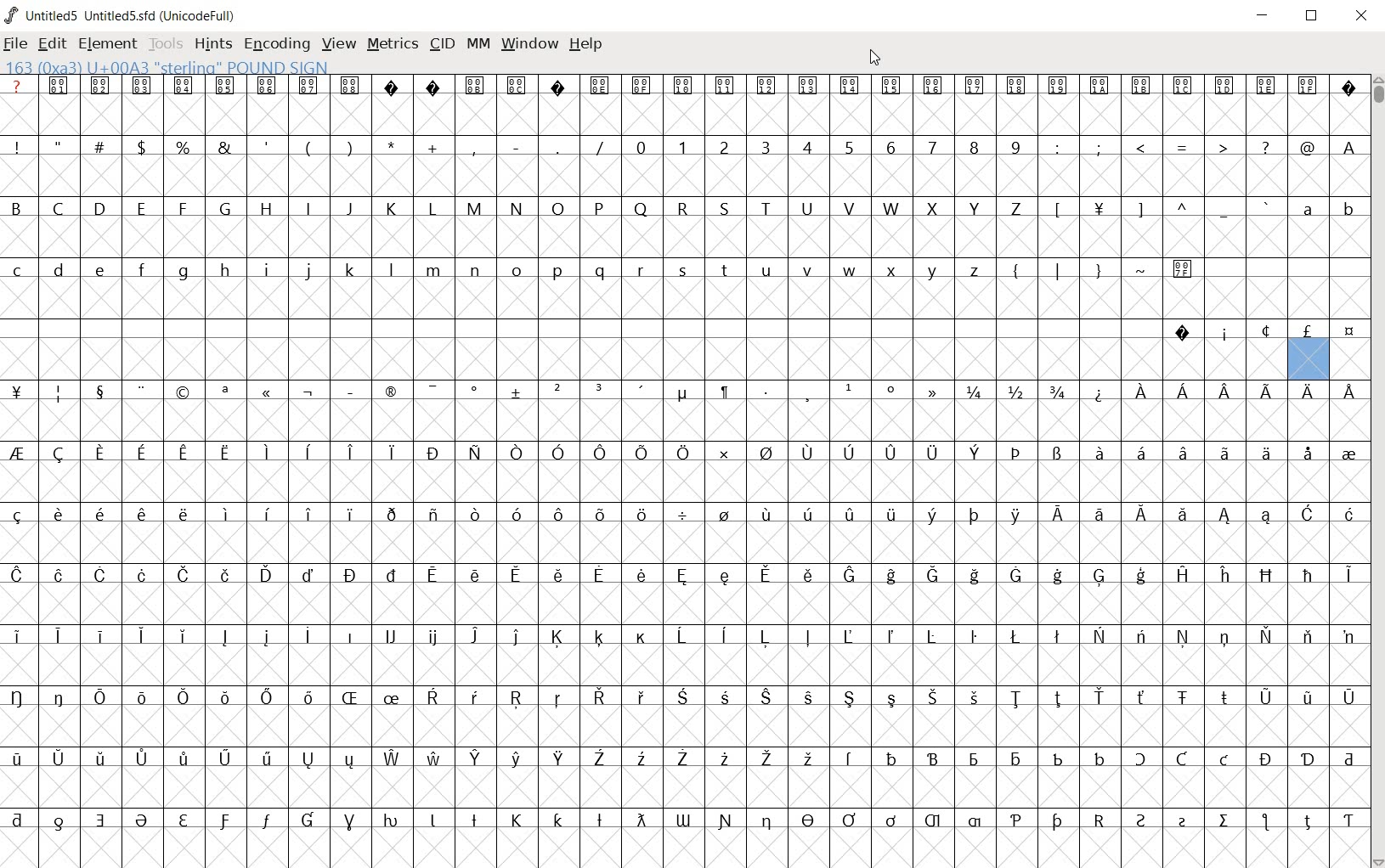 Image resolution: width=1385 pixels, height=868 pixels. Describe the element at coordinates (1016, 454) in the screenshot. I see `Symbol` at that location.